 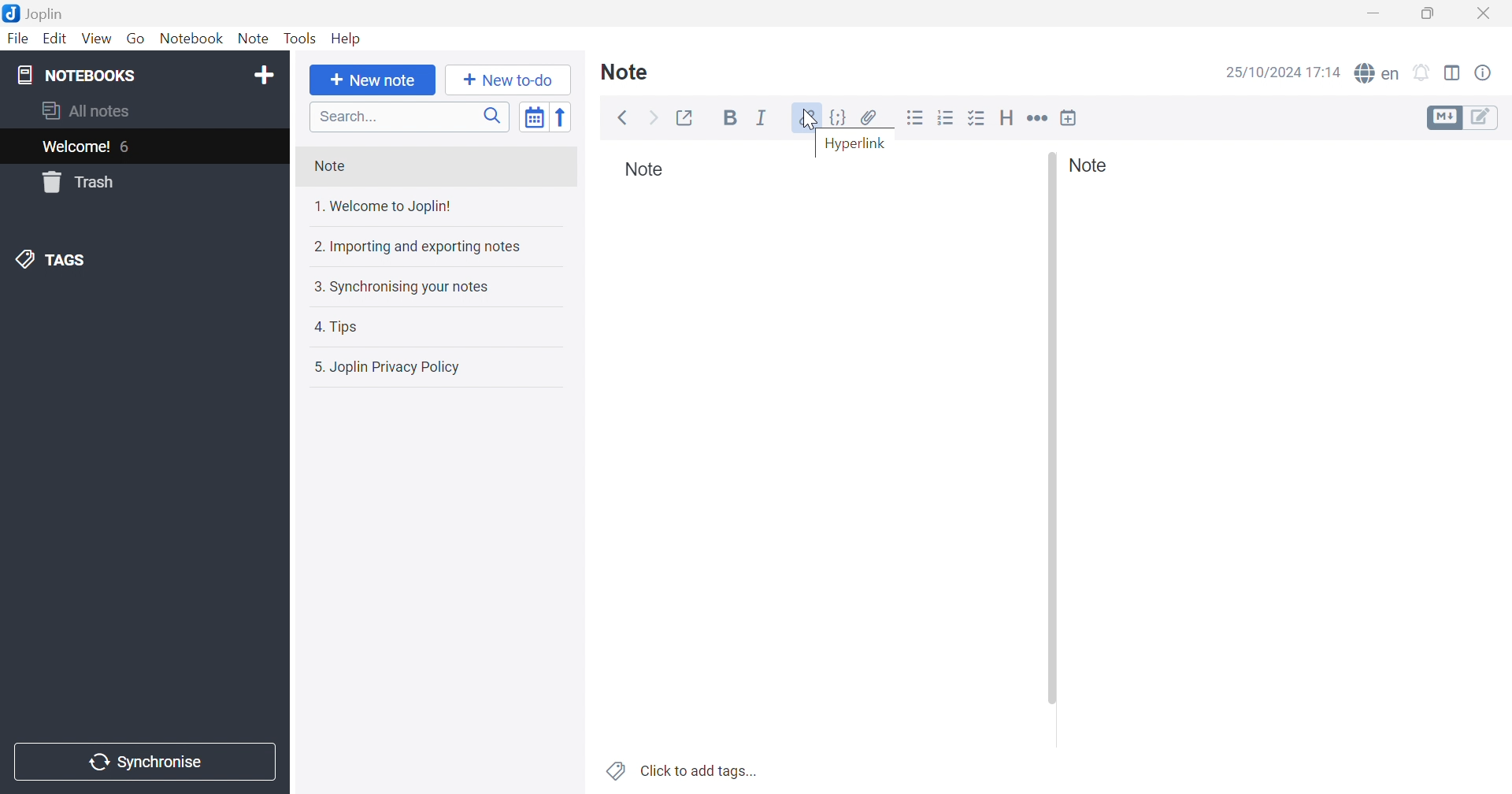 I want to click on Hyperlink, so click(x=803, y=117).